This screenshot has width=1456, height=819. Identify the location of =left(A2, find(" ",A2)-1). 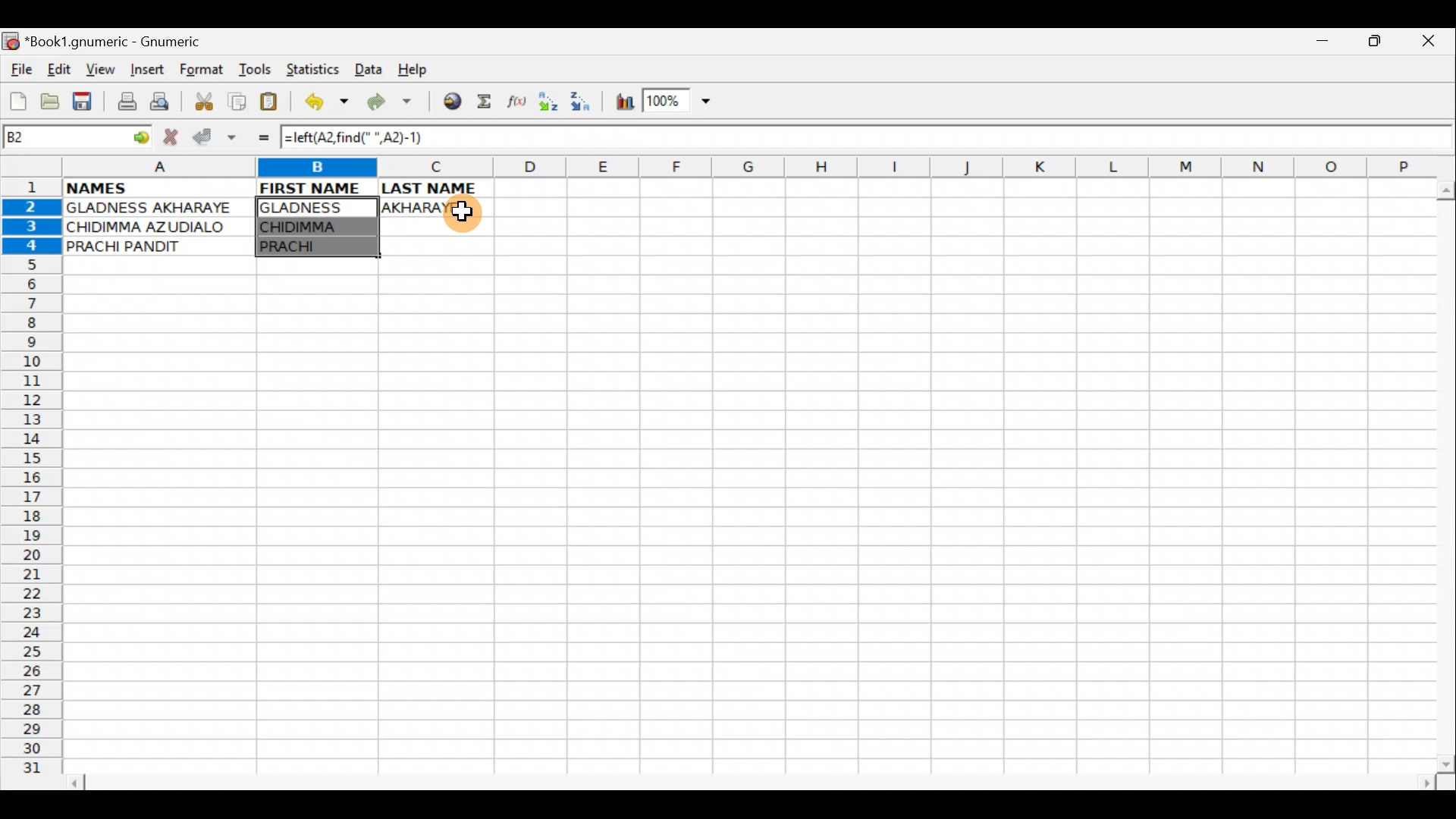
(359, 138).